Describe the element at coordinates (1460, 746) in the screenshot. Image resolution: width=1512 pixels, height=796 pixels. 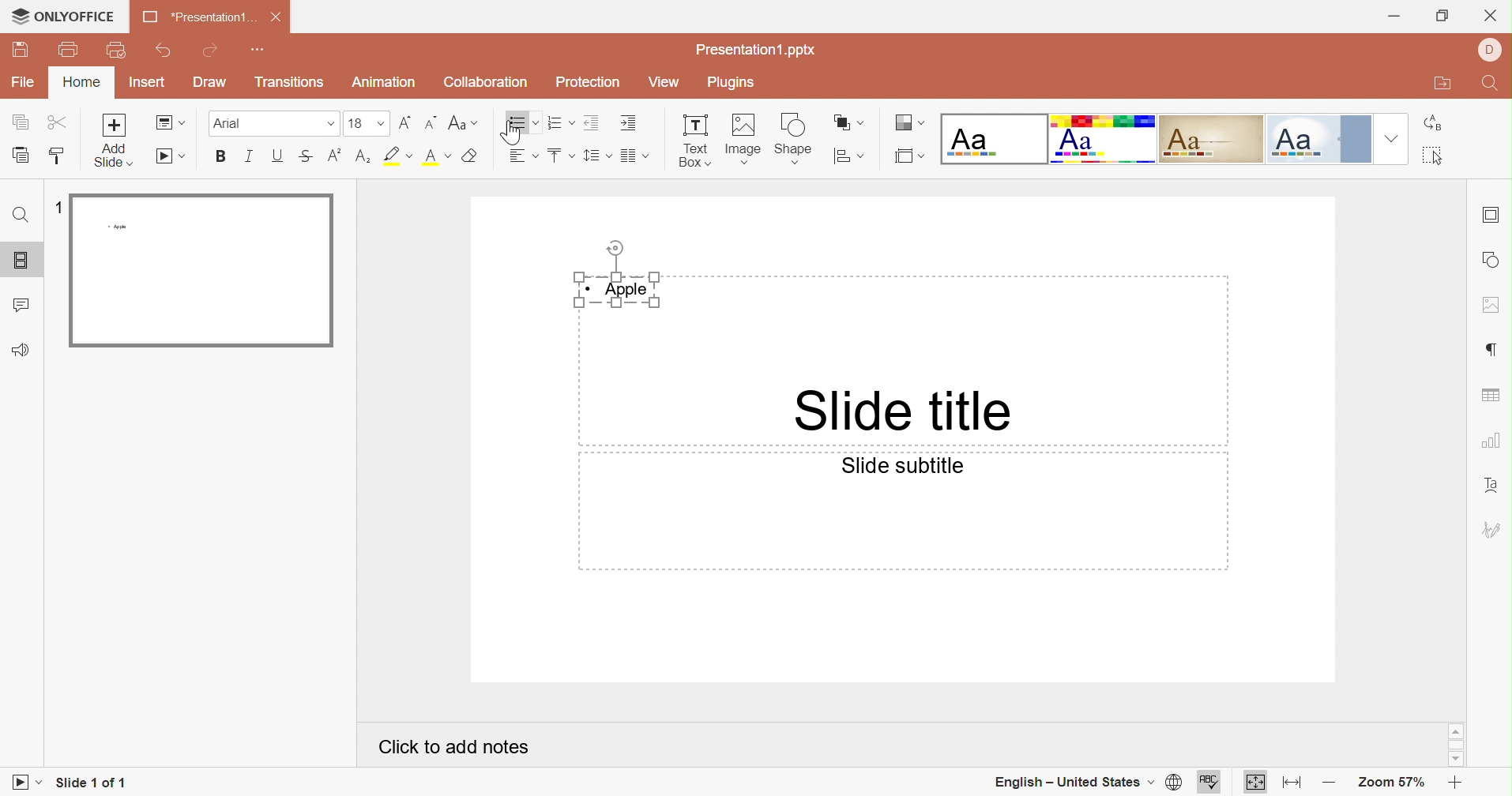
I see `Scroll Bar` at that location.